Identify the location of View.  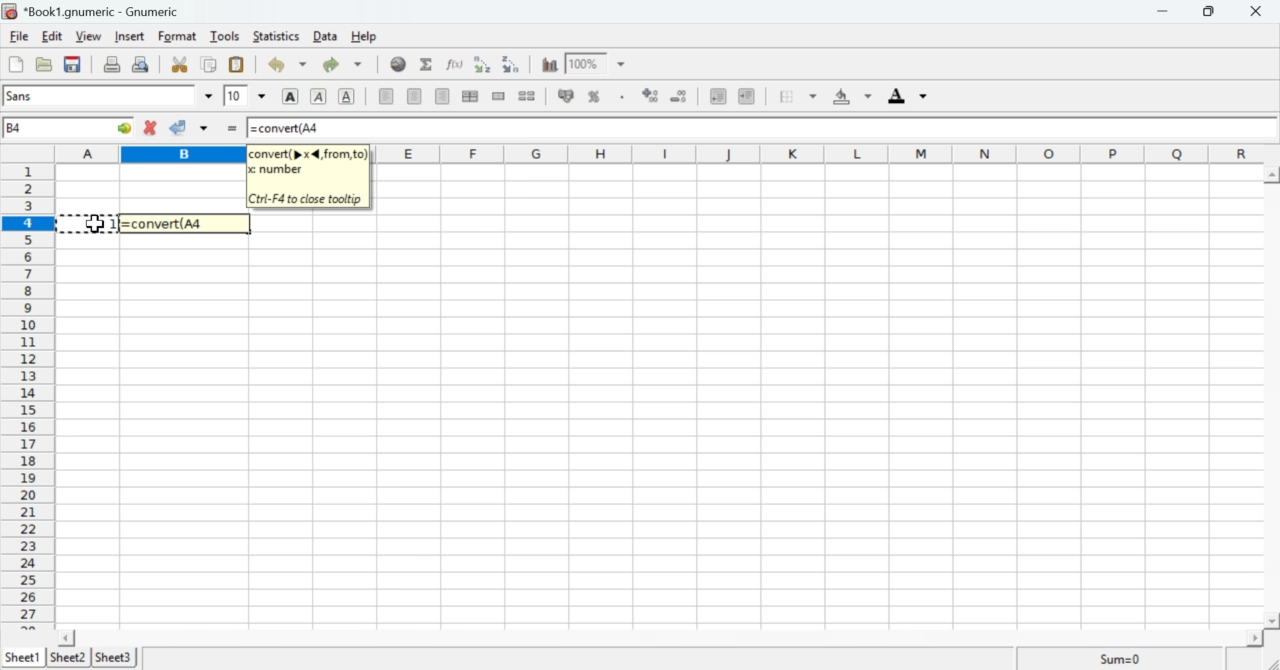
(92, 36).